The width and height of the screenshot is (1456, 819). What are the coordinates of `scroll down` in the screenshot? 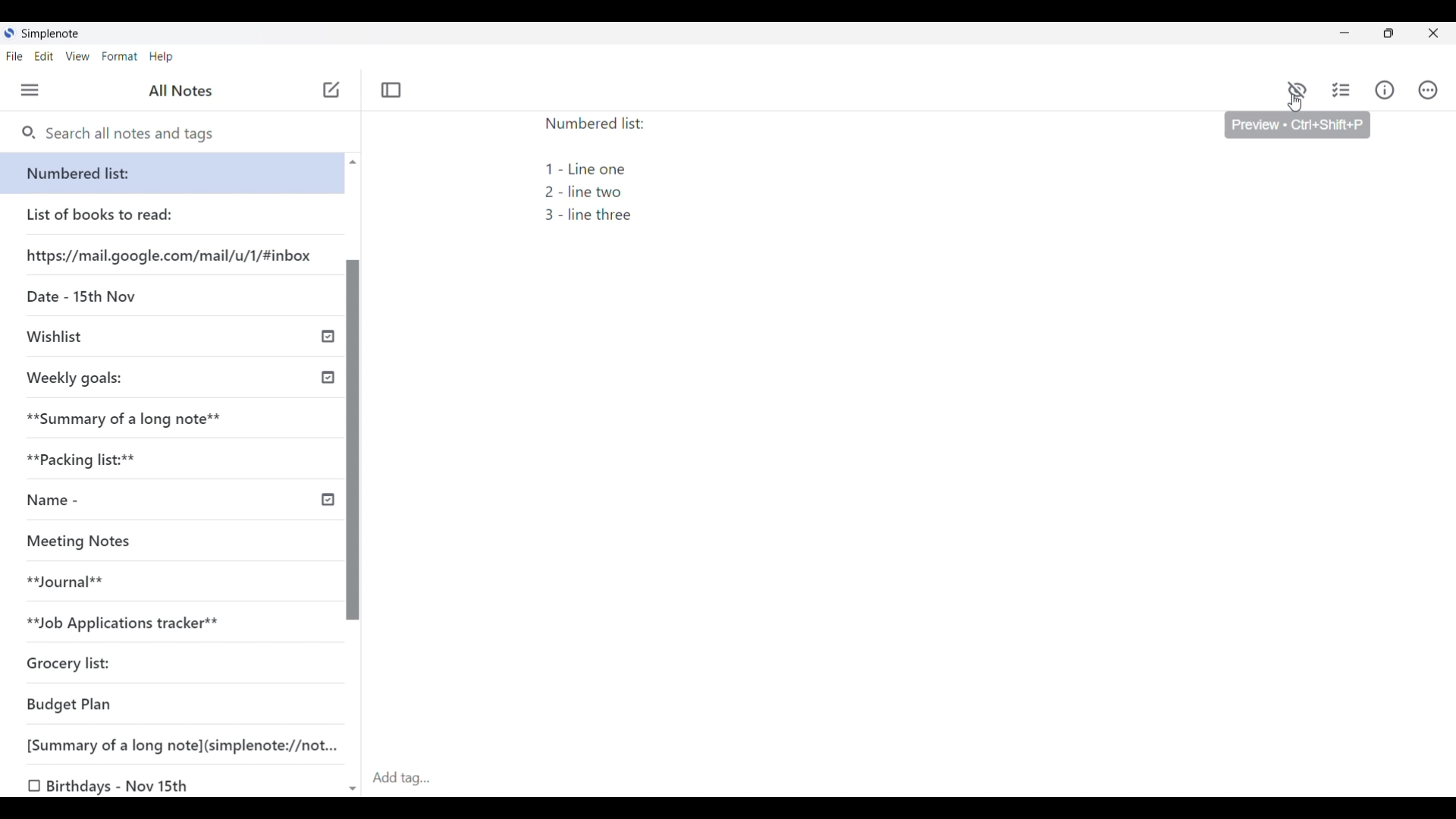 It's located at (352, 783).